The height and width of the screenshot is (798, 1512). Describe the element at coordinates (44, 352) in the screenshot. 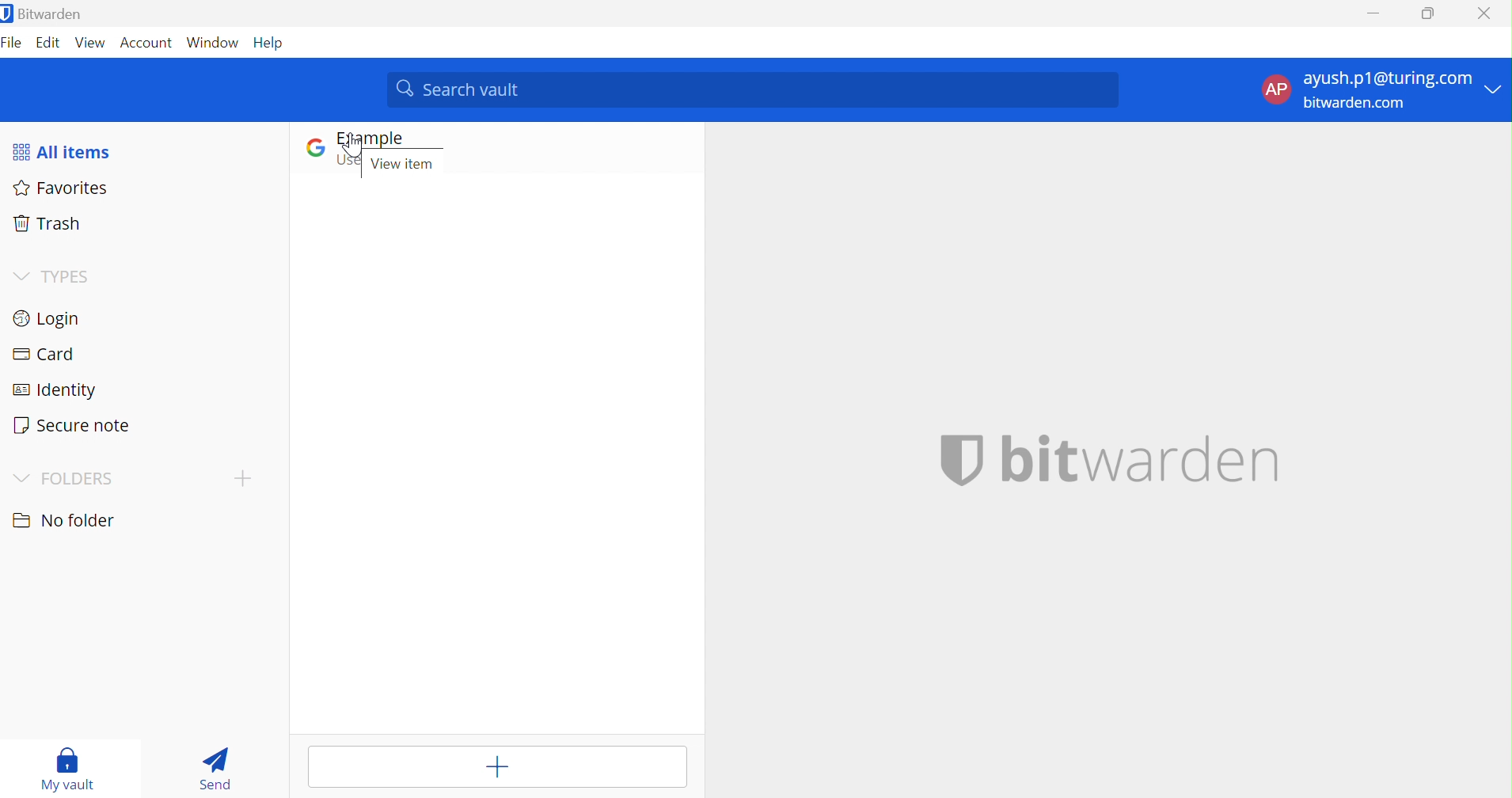

I see `Card` at that location.